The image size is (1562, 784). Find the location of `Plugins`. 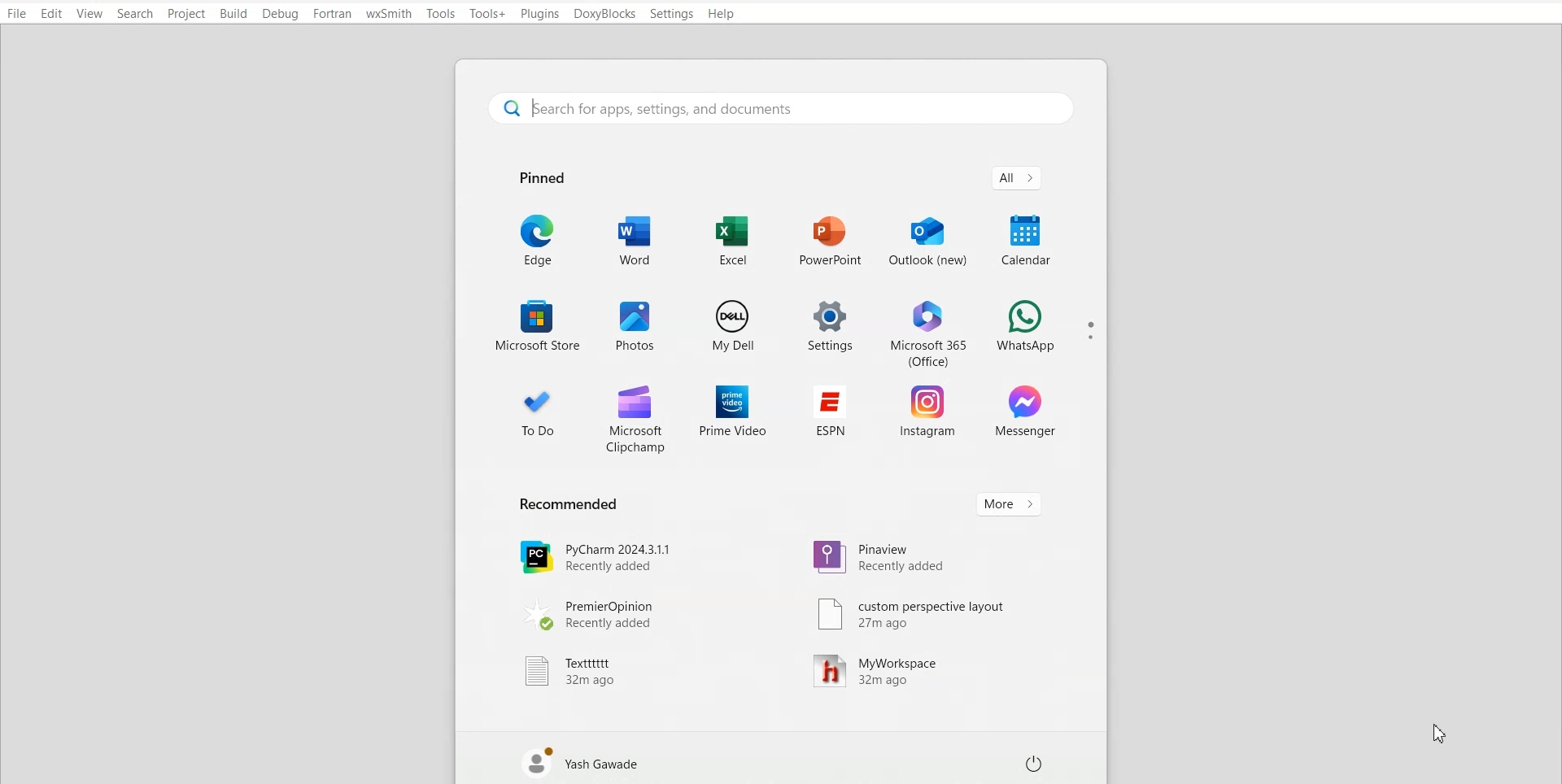

Plugins is located at coordinates (539, 14).